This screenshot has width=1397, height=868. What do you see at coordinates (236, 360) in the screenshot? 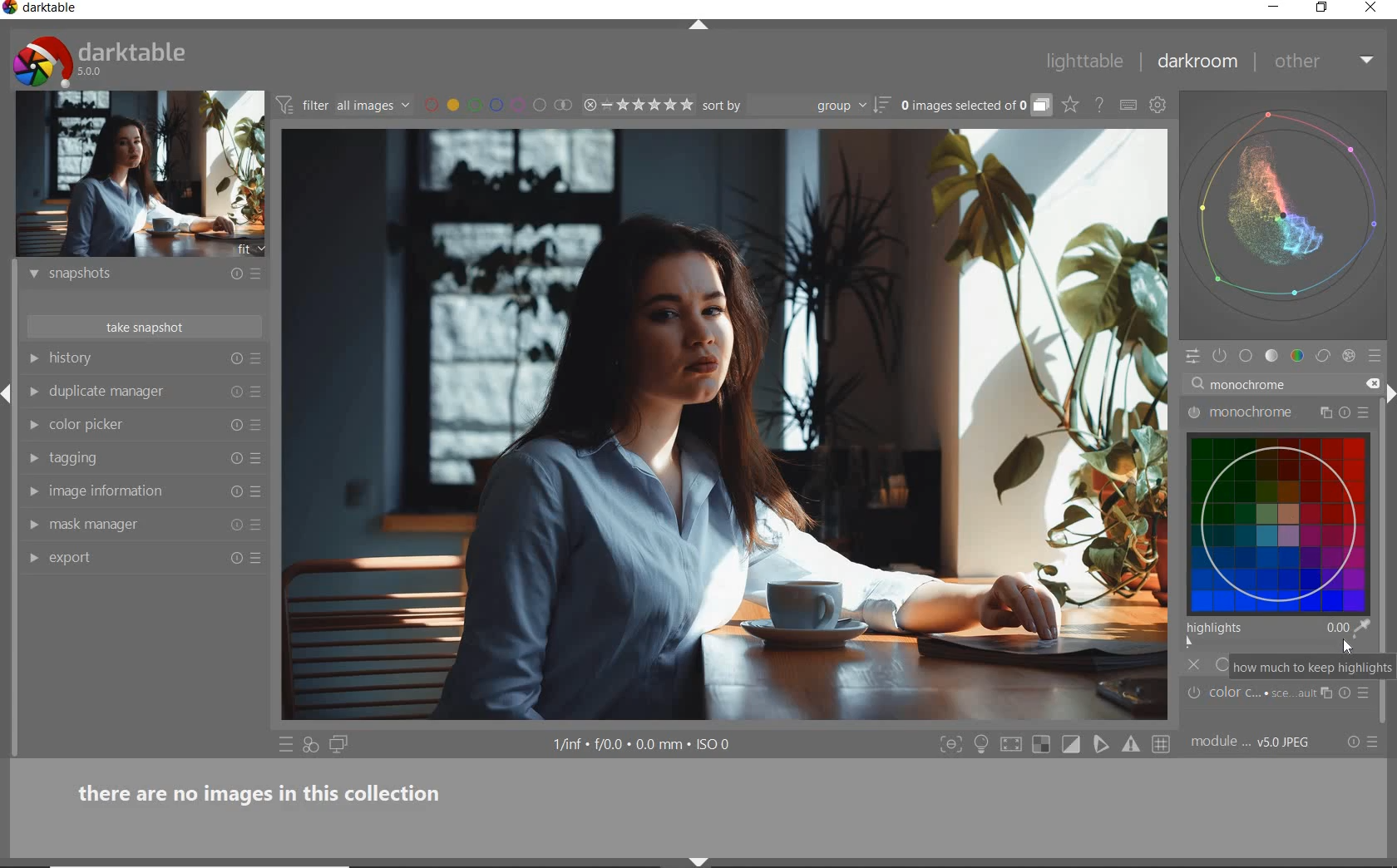
I see `reset` at bounding box center [236, 360].